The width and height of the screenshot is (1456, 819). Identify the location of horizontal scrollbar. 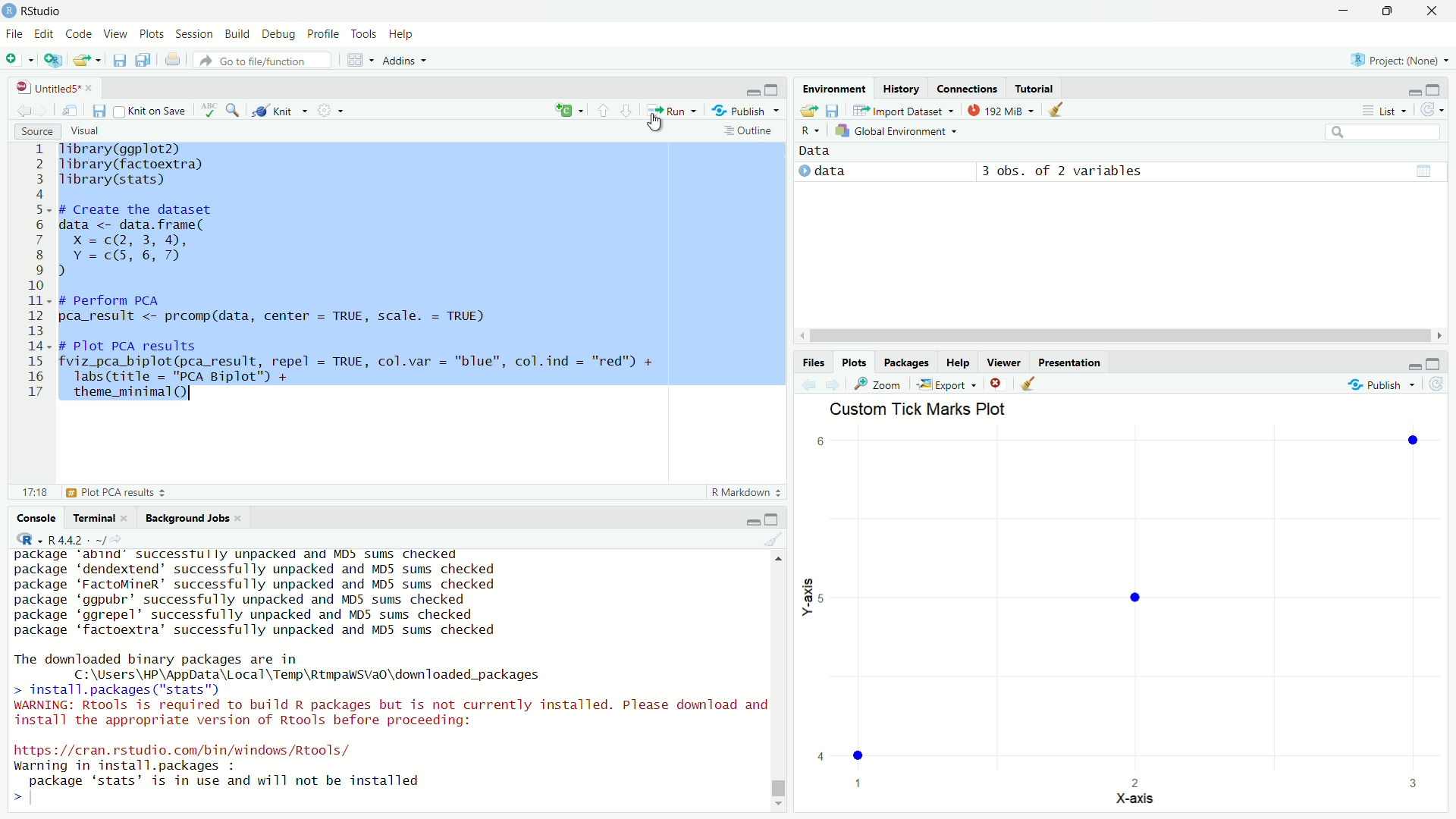
(1119, 336).